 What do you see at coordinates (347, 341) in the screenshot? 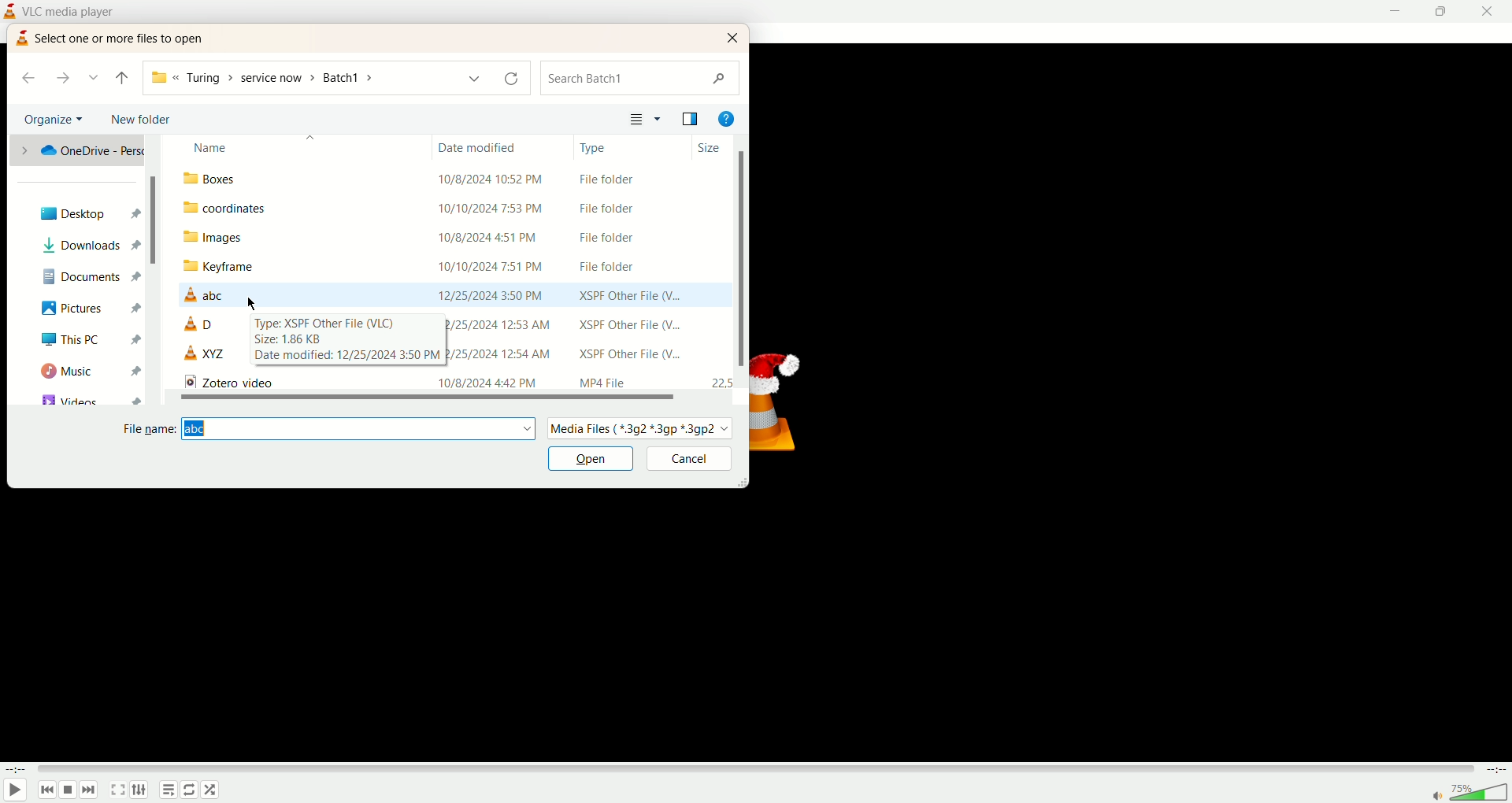
I see `file info ` at bounding box center [347, 341].